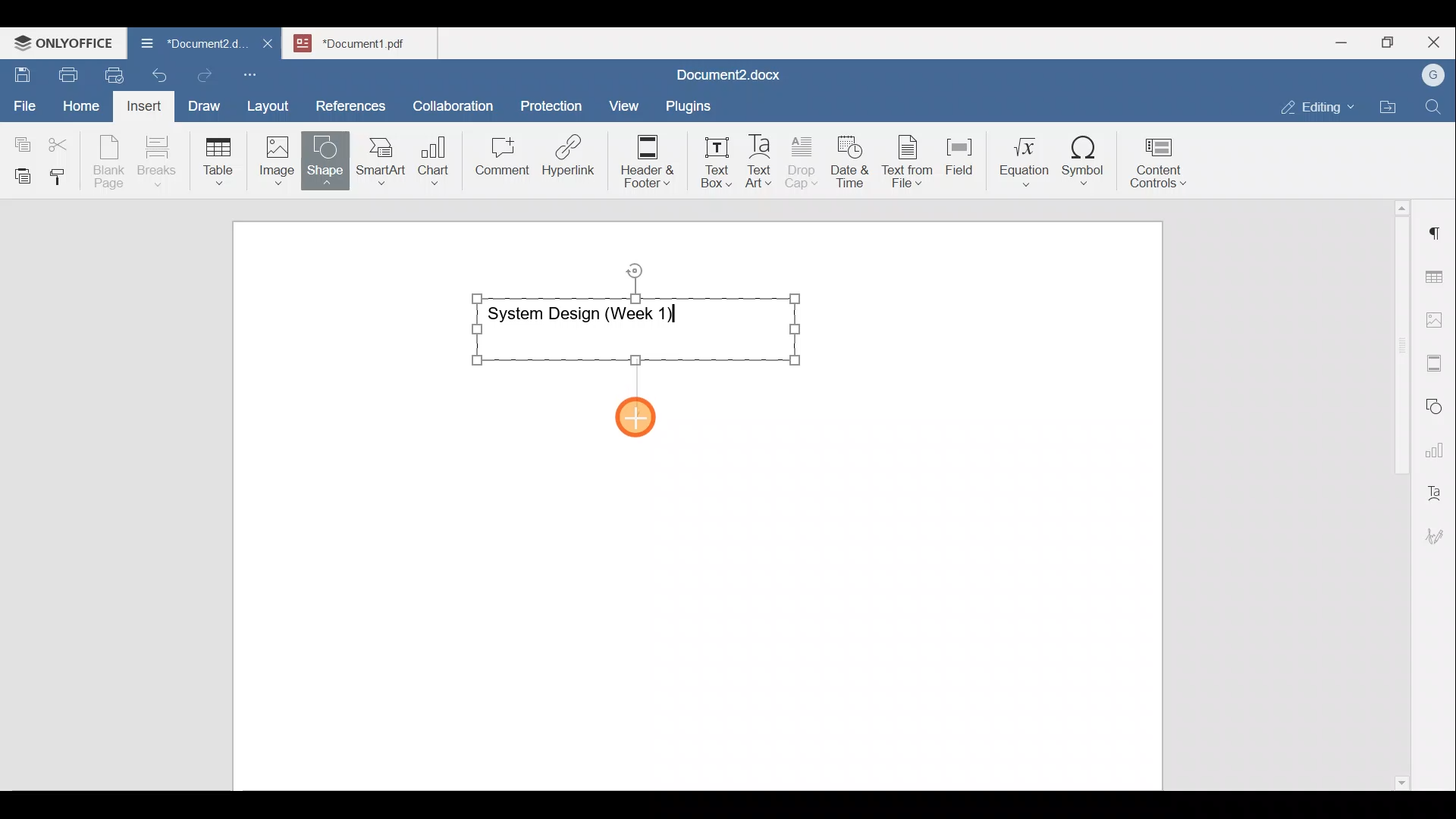 The image size is (1456, 819). I want to click on Protection, so click(556, 104).